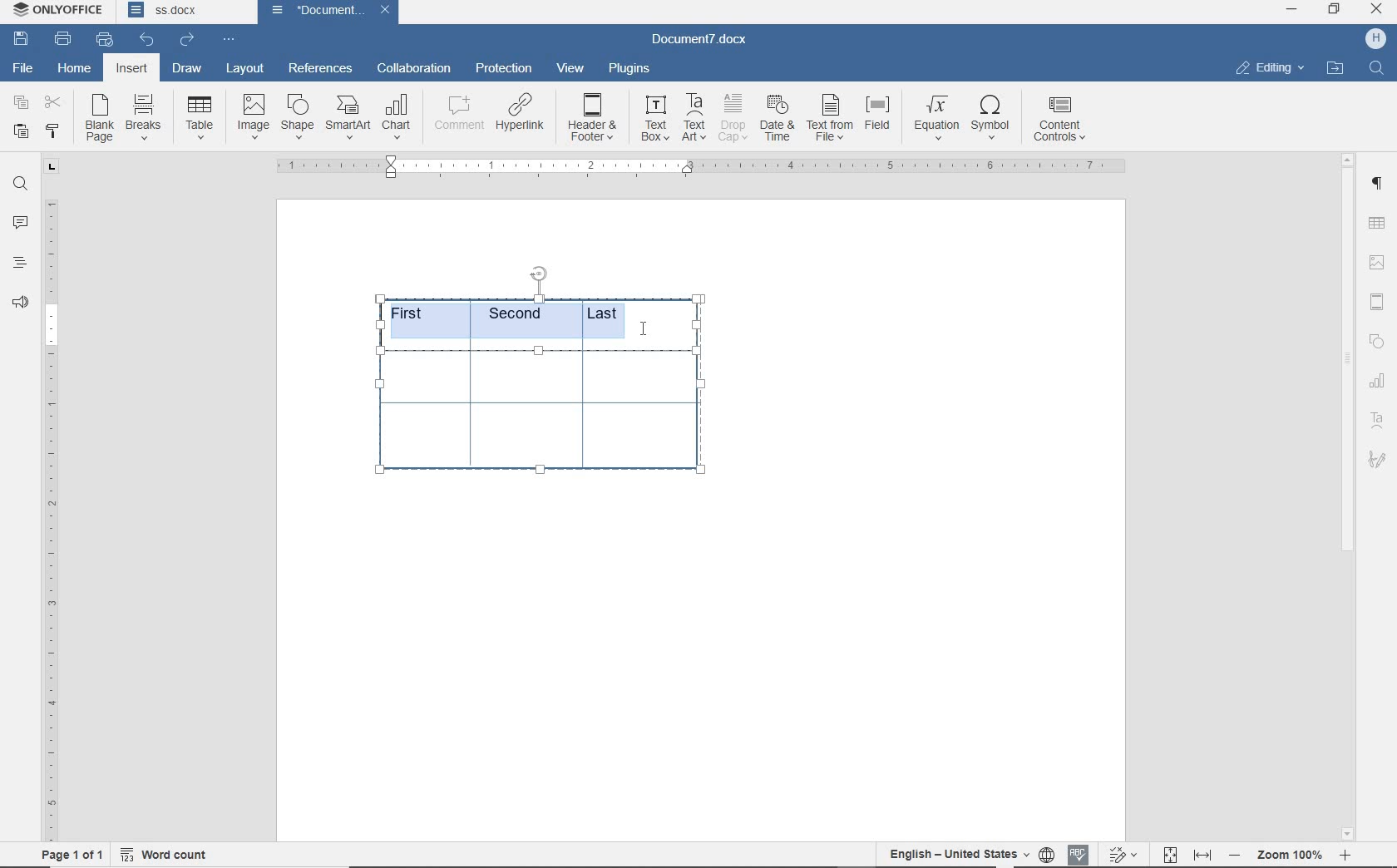  I want to click on document, so click(313, 10).